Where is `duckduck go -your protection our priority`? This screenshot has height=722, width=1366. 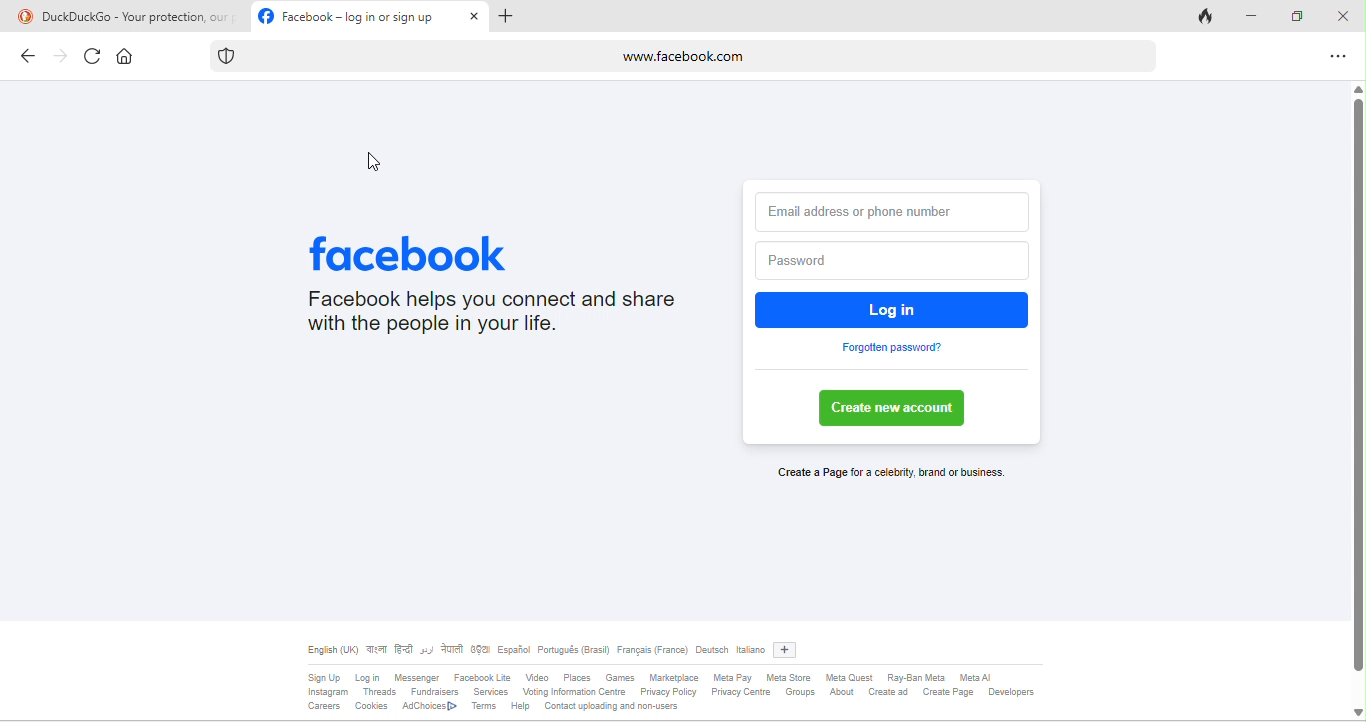
duckduck go -your protection our priority is located at coordinates (144, 18).